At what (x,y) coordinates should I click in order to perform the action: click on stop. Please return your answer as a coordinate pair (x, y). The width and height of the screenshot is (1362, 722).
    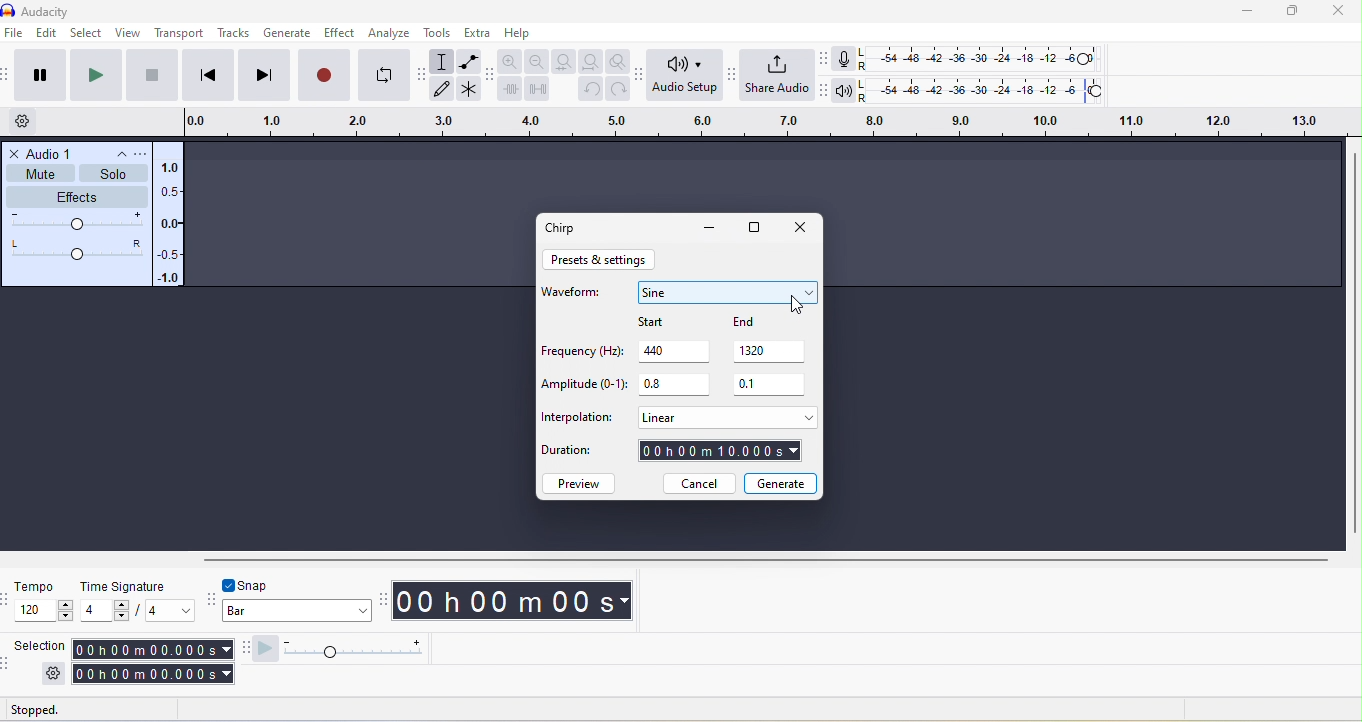
    Looking at the image, I should click on (153, 76).